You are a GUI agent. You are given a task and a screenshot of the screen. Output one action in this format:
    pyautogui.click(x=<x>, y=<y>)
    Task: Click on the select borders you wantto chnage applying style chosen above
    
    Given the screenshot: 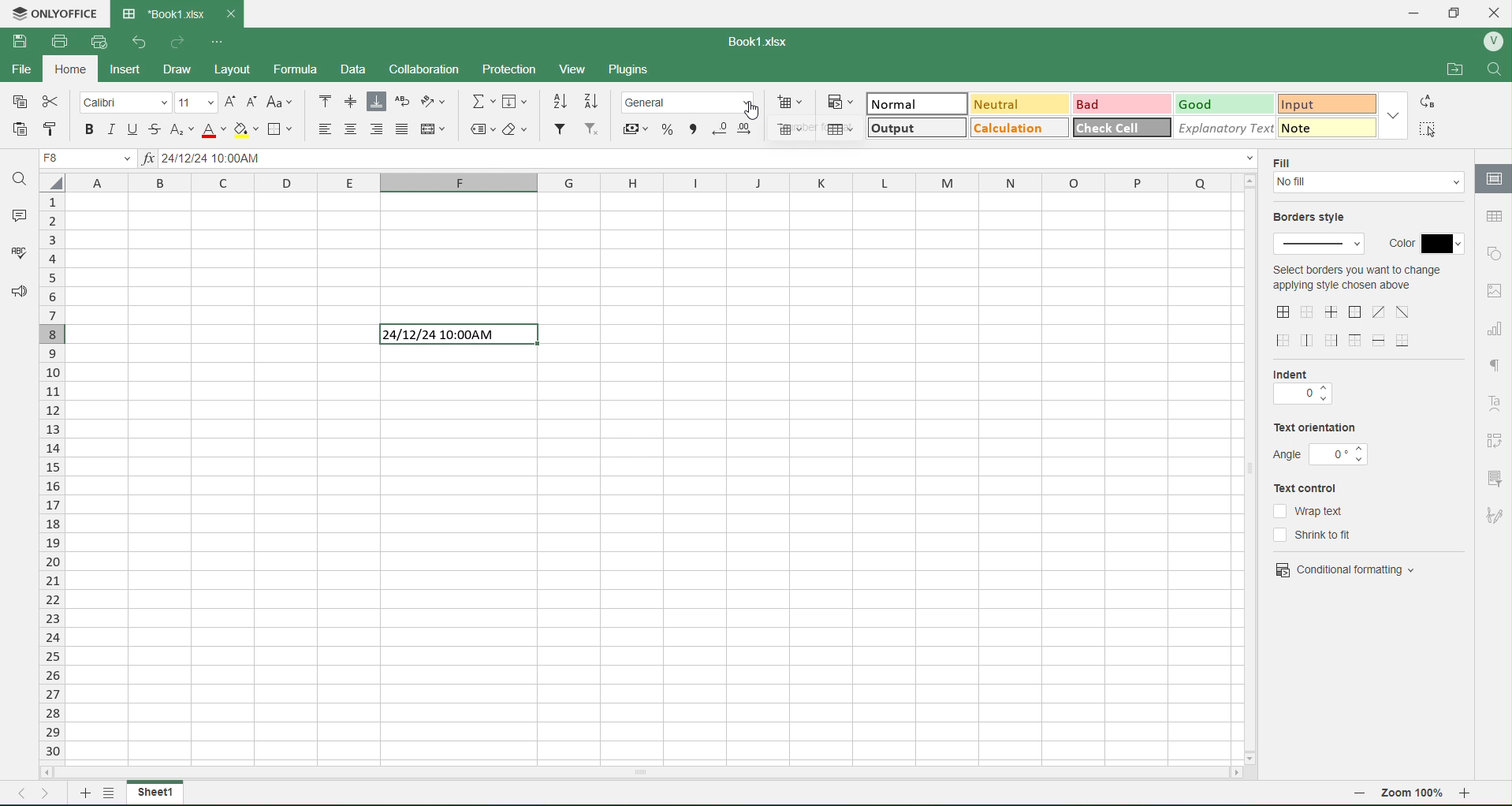 What is the action you would take?
    pyautogui.click(x=1356, y=281)
    